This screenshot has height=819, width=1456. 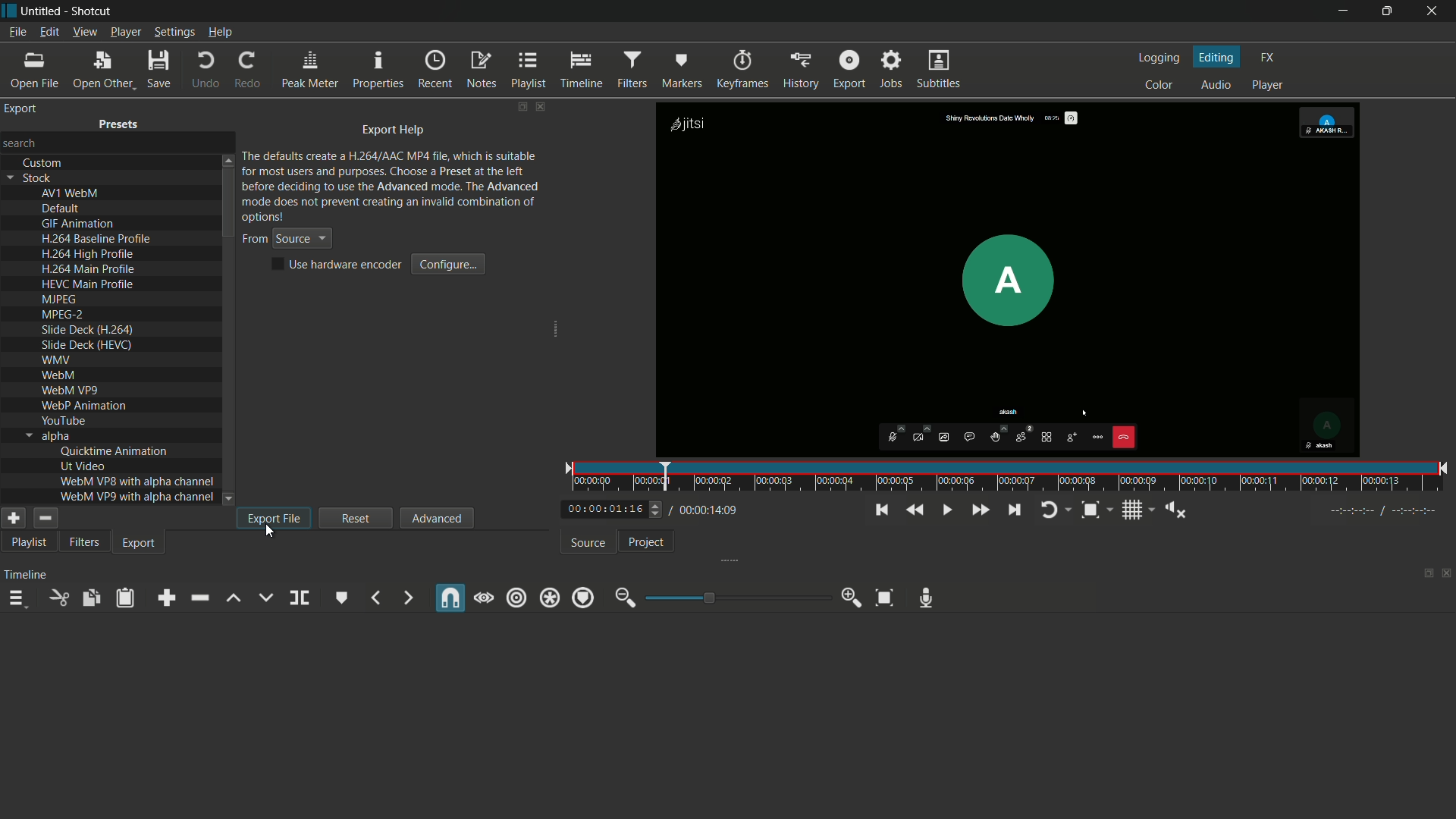 I want to click on search, so click(x=25, y=145).